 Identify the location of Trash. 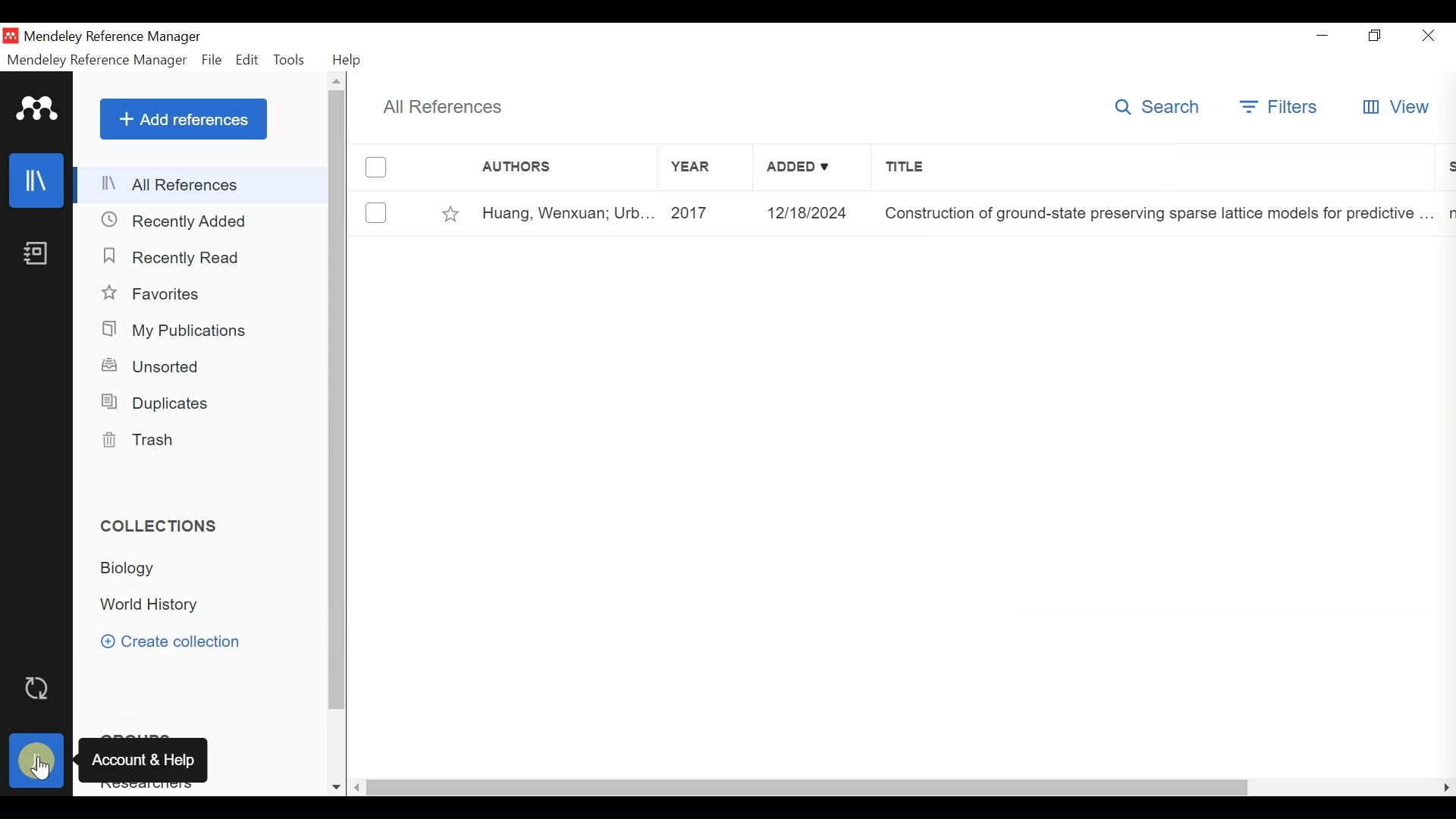
(149, 441).